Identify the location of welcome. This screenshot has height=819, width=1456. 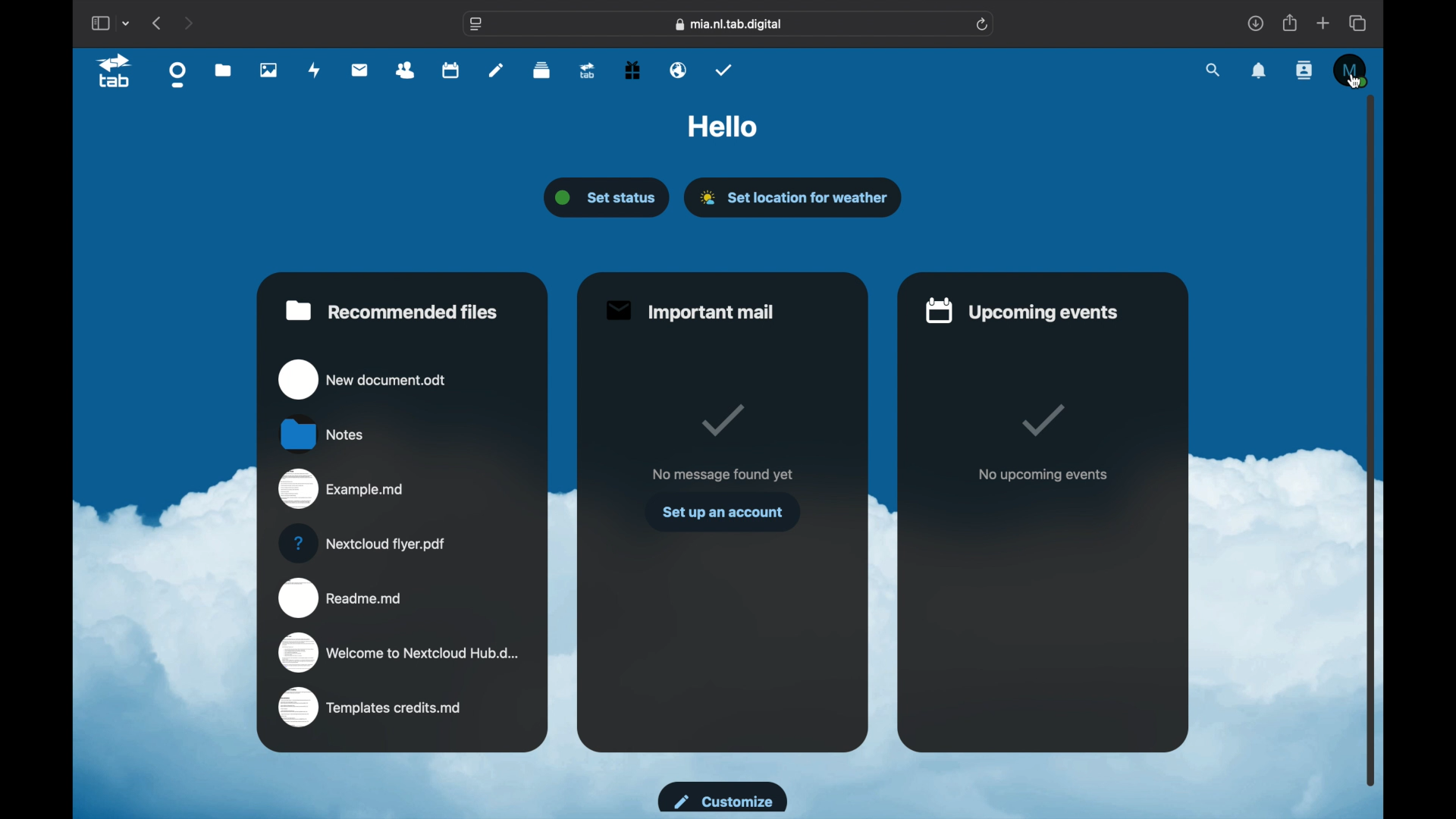
(397, 653).